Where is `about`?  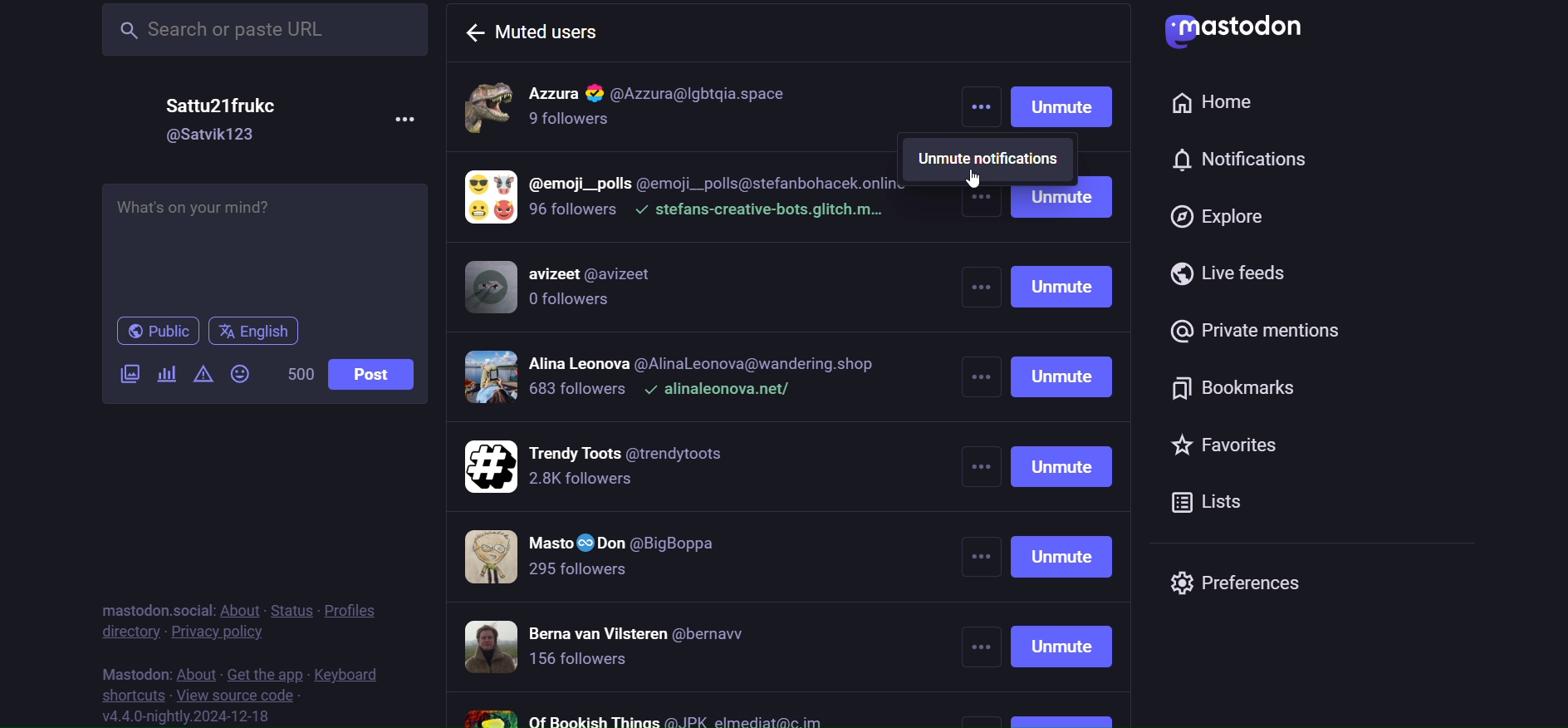 about is located at coordinates (243, 607).